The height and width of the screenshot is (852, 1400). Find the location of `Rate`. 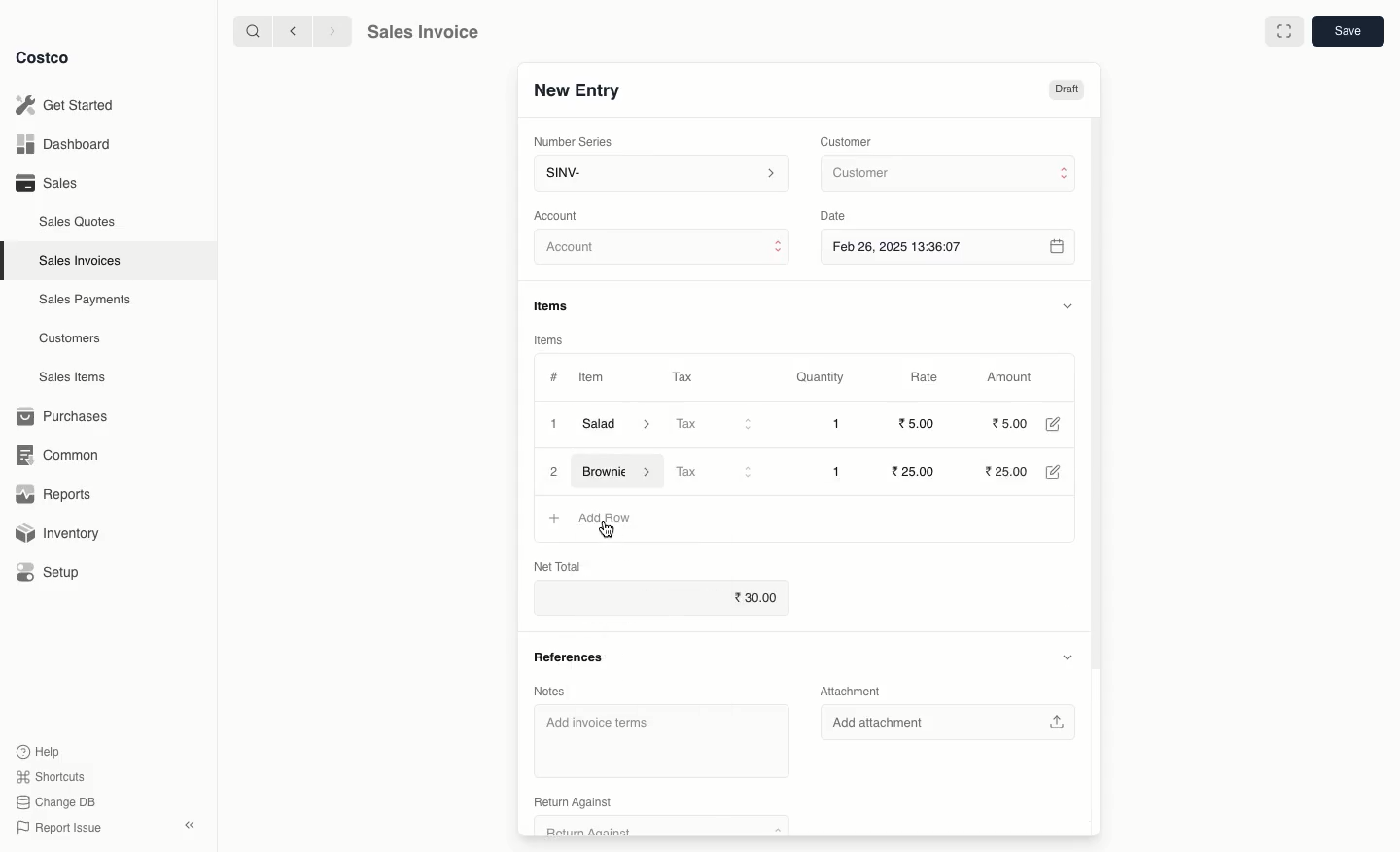

Rate is located at coordinates (927, 377).